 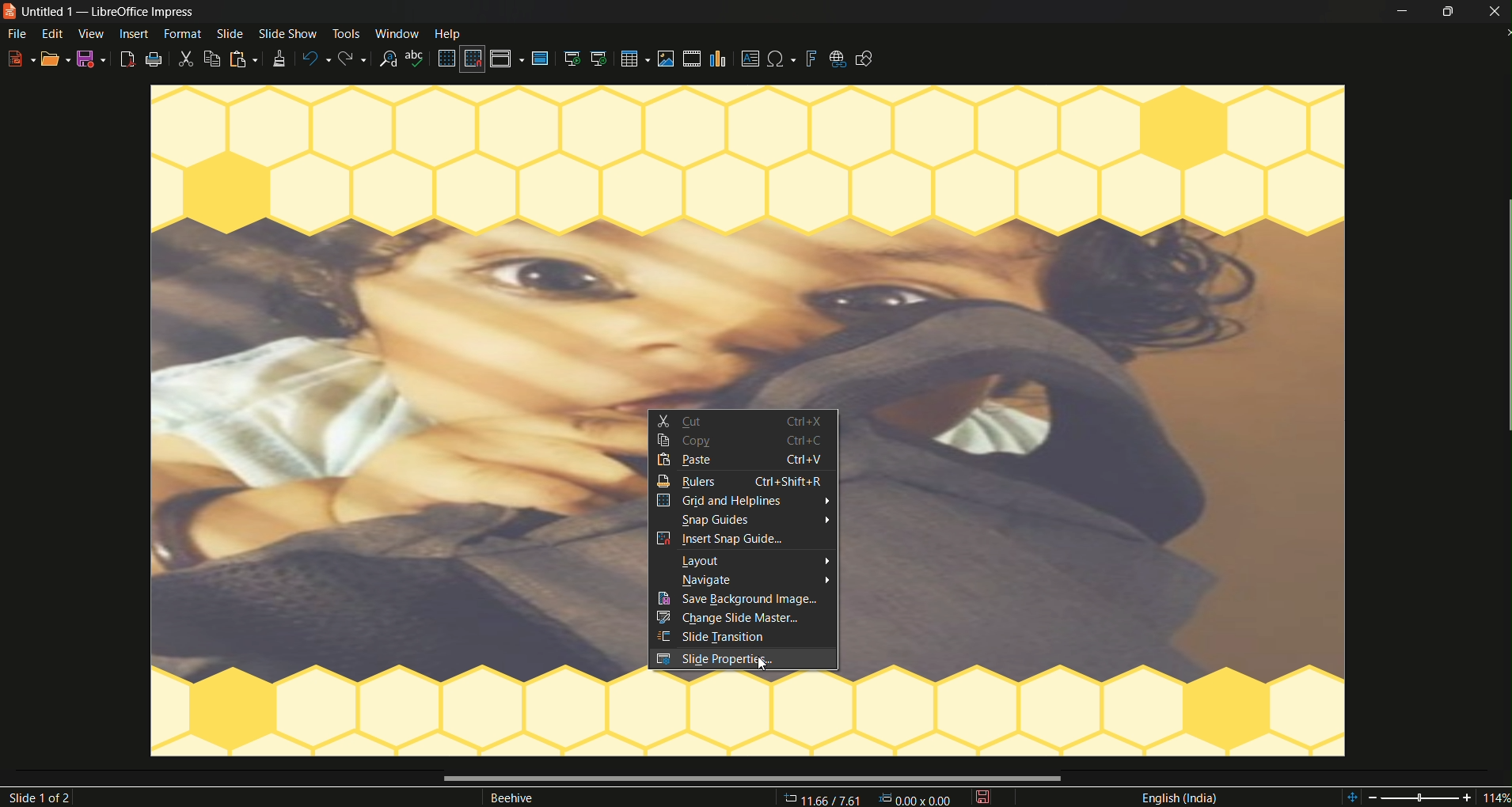 I want to click on display grid, so click(x=446, y=59).